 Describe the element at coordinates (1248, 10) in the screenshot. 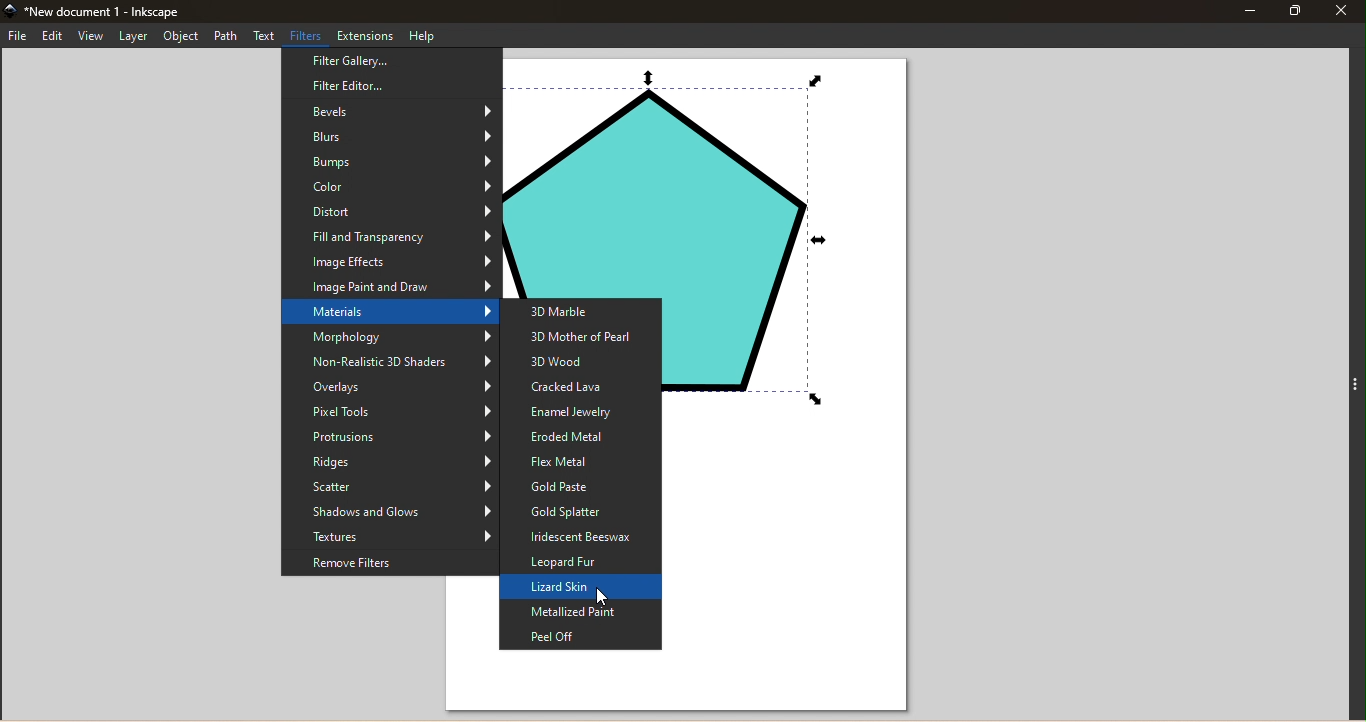

I see `Minimize` at that location.